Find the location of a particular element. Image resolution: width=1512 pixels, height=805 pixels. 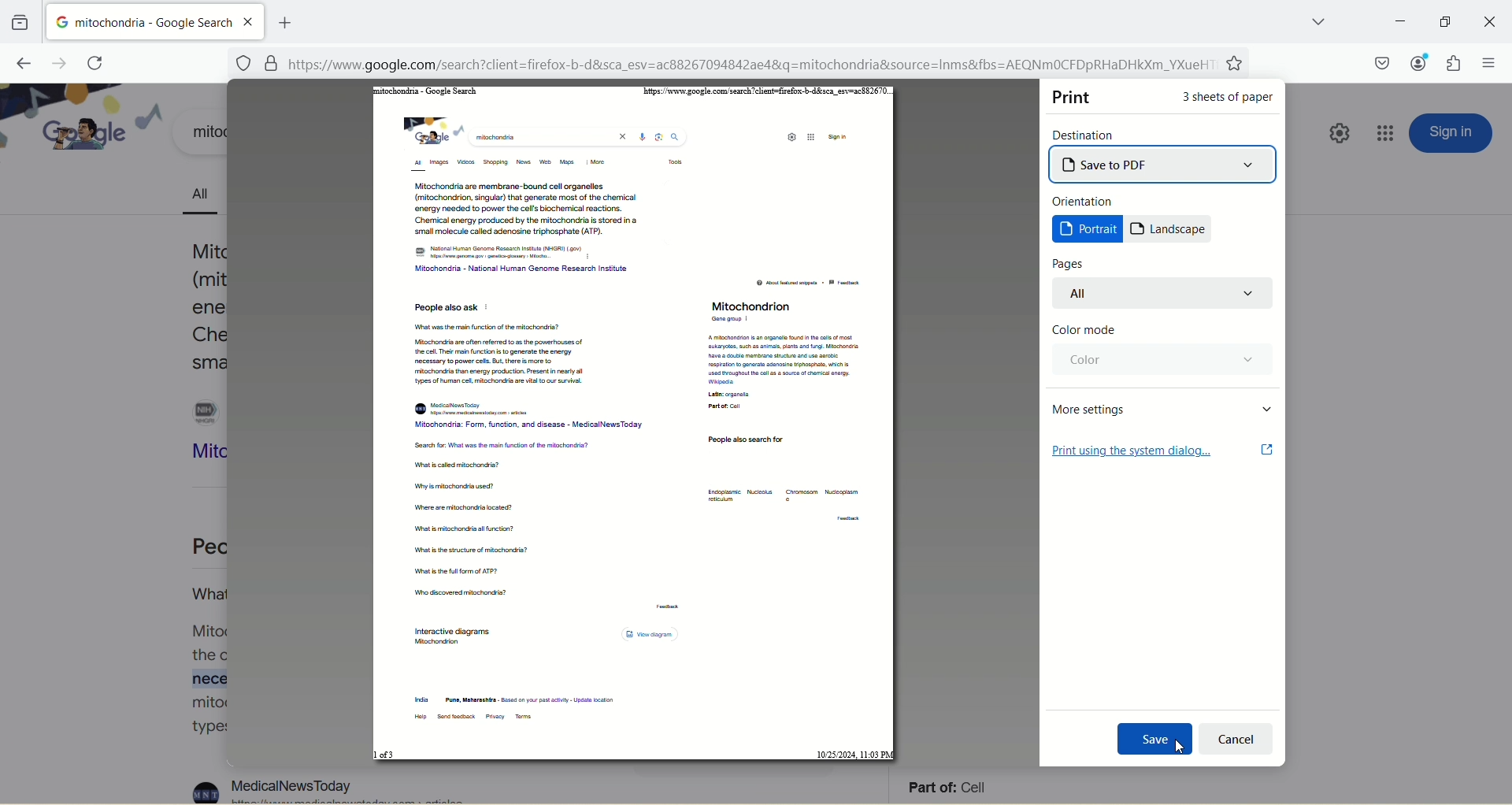

maximize is located at coordinates (1443, 22).